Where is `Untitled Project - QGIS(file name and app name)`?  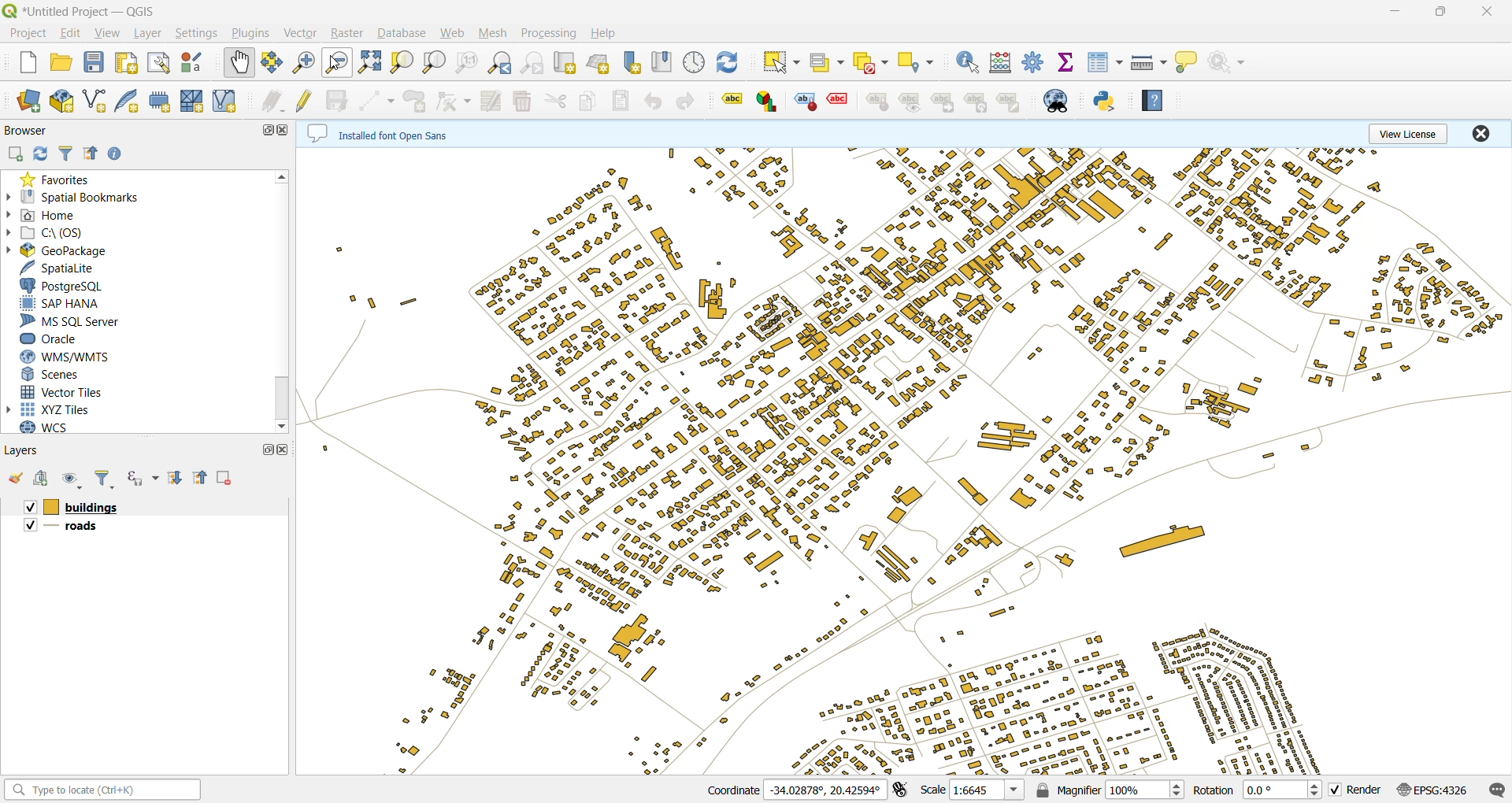
Untitled Project - QGIS(file name and app name) is located at coordinates (85, 10).